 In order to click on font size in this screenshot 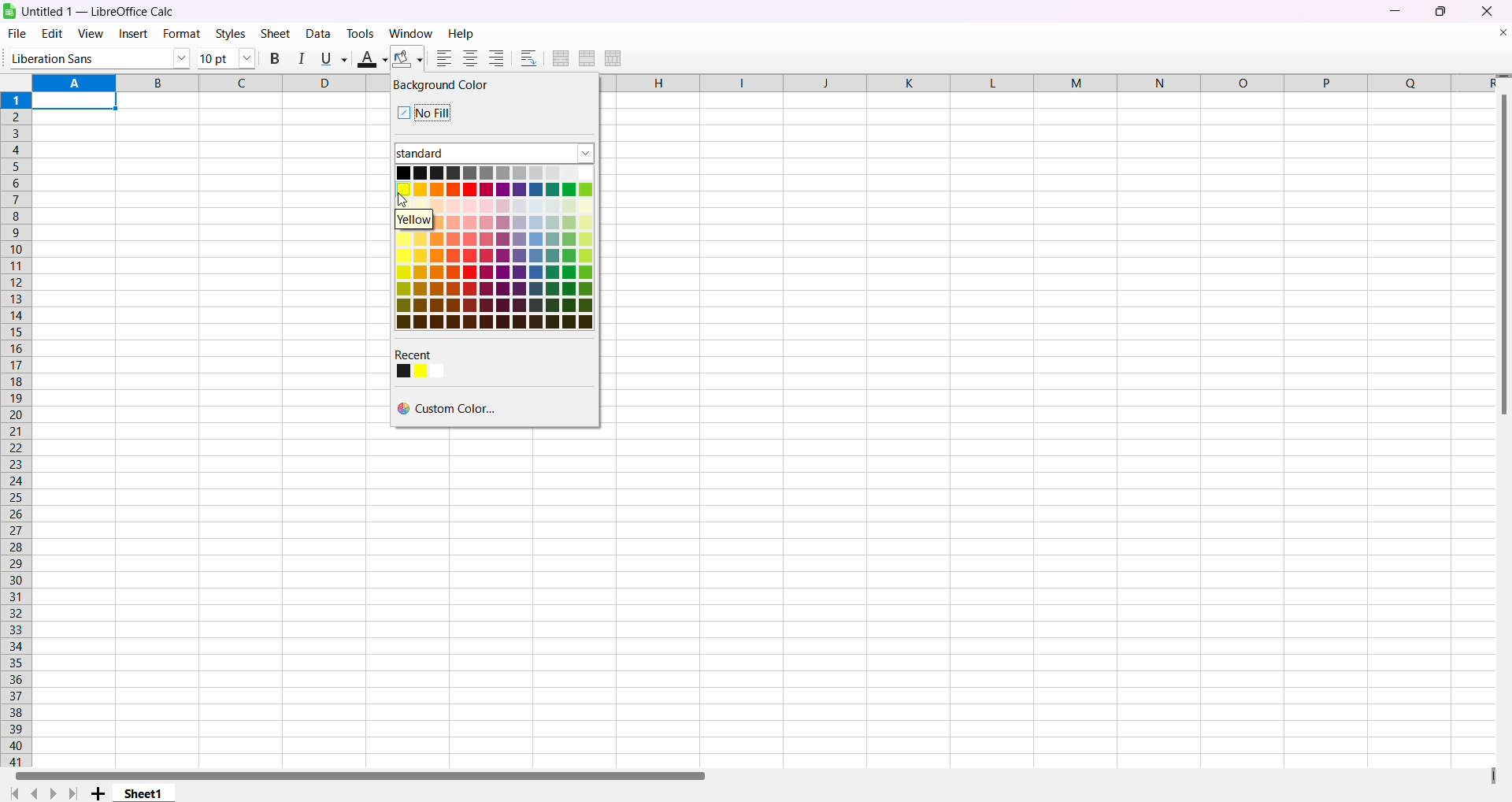, I will do `click(226, 58)`.